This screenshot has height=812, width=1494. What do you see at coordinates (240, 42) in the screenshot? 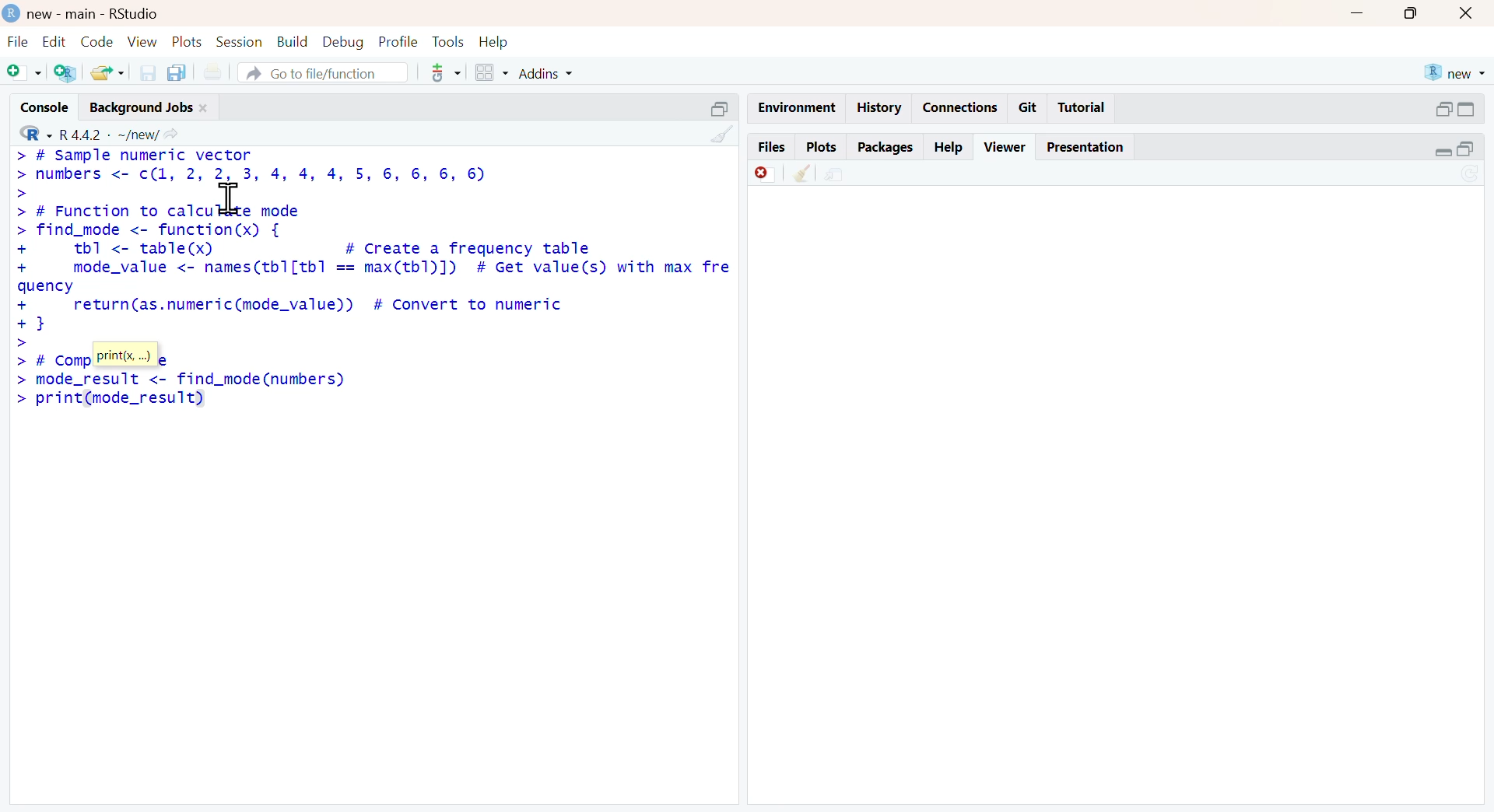
I see `session` at bounding box center [240, 42].